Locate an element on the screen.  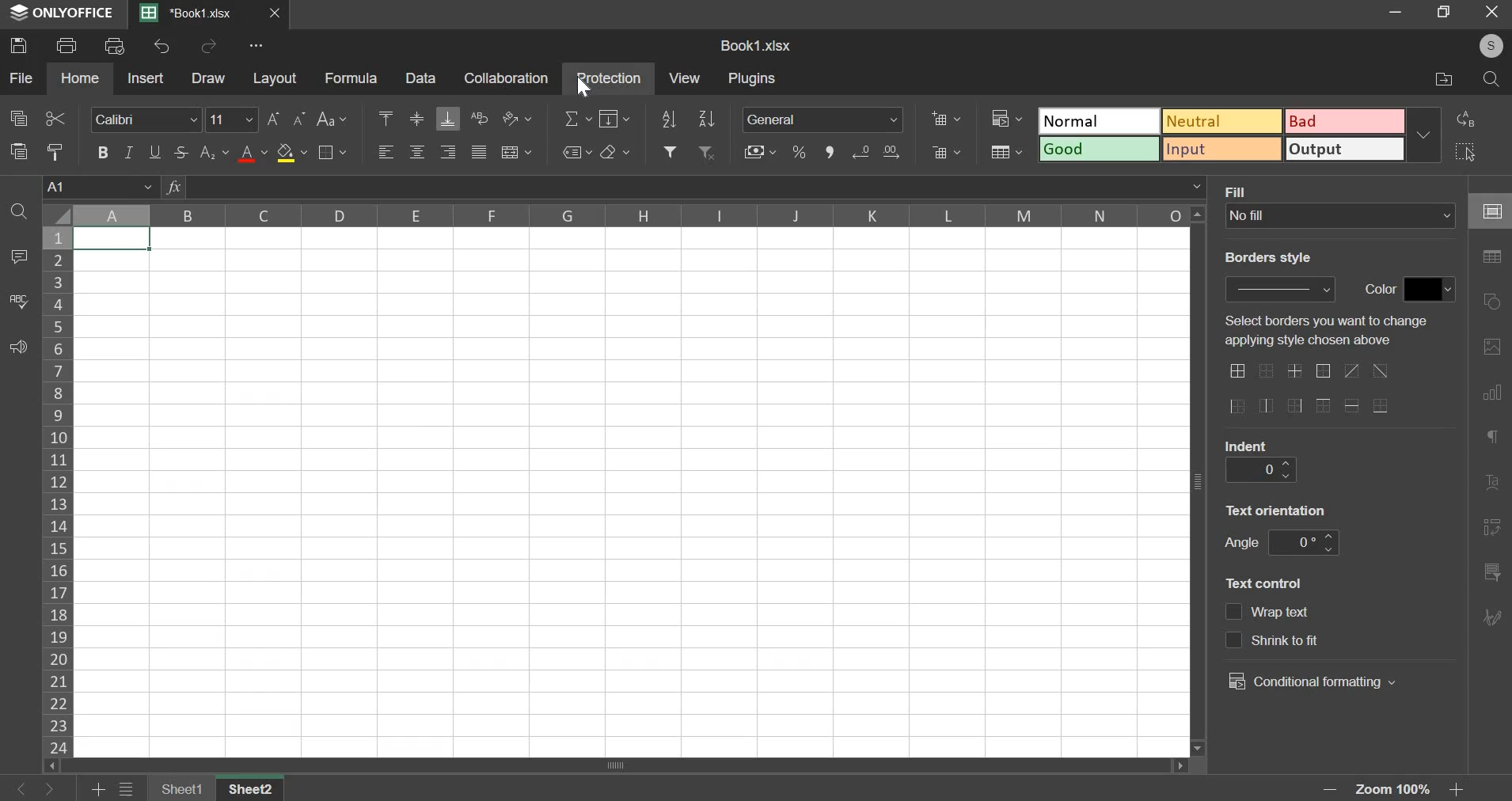
spelling is located at coordinates (19, 301).